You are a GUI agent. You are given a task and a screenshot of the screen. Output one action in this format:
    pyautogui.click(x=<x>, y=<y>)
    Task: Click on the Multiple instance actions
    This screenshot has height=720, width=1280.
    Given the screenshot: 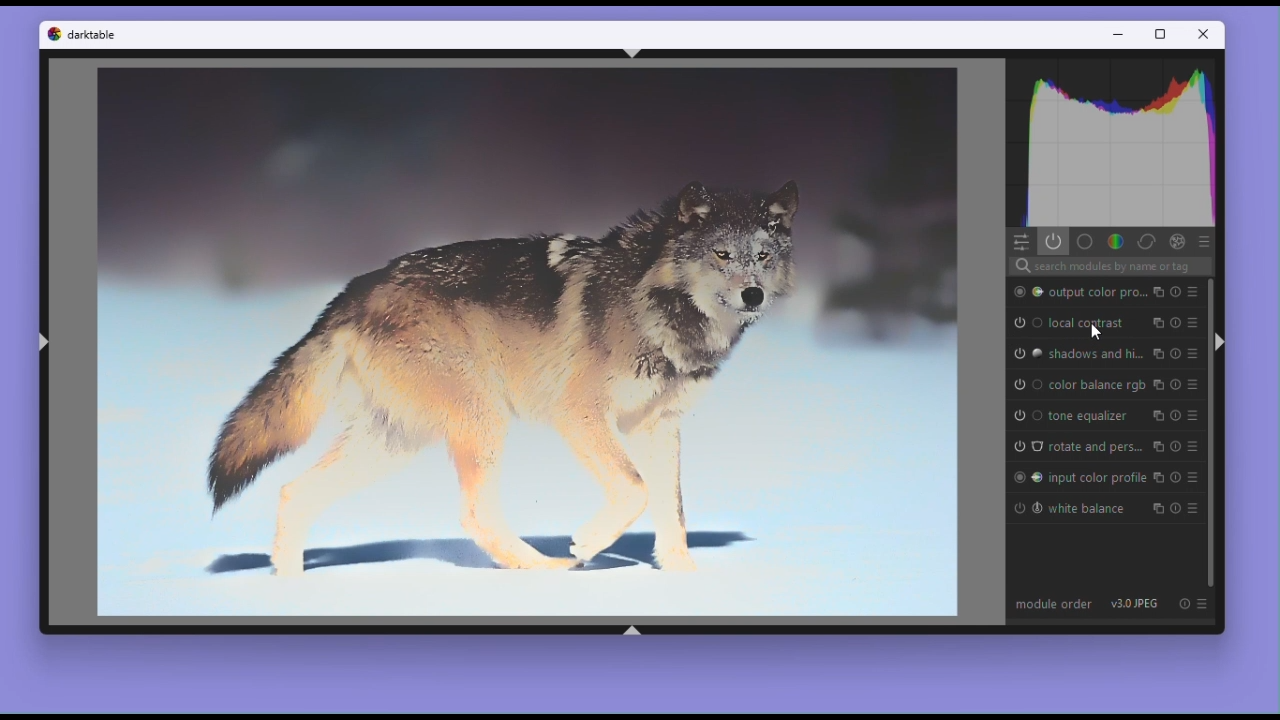 What is the action you would take?
    pyautogui.click(x=1158, y=351)
    